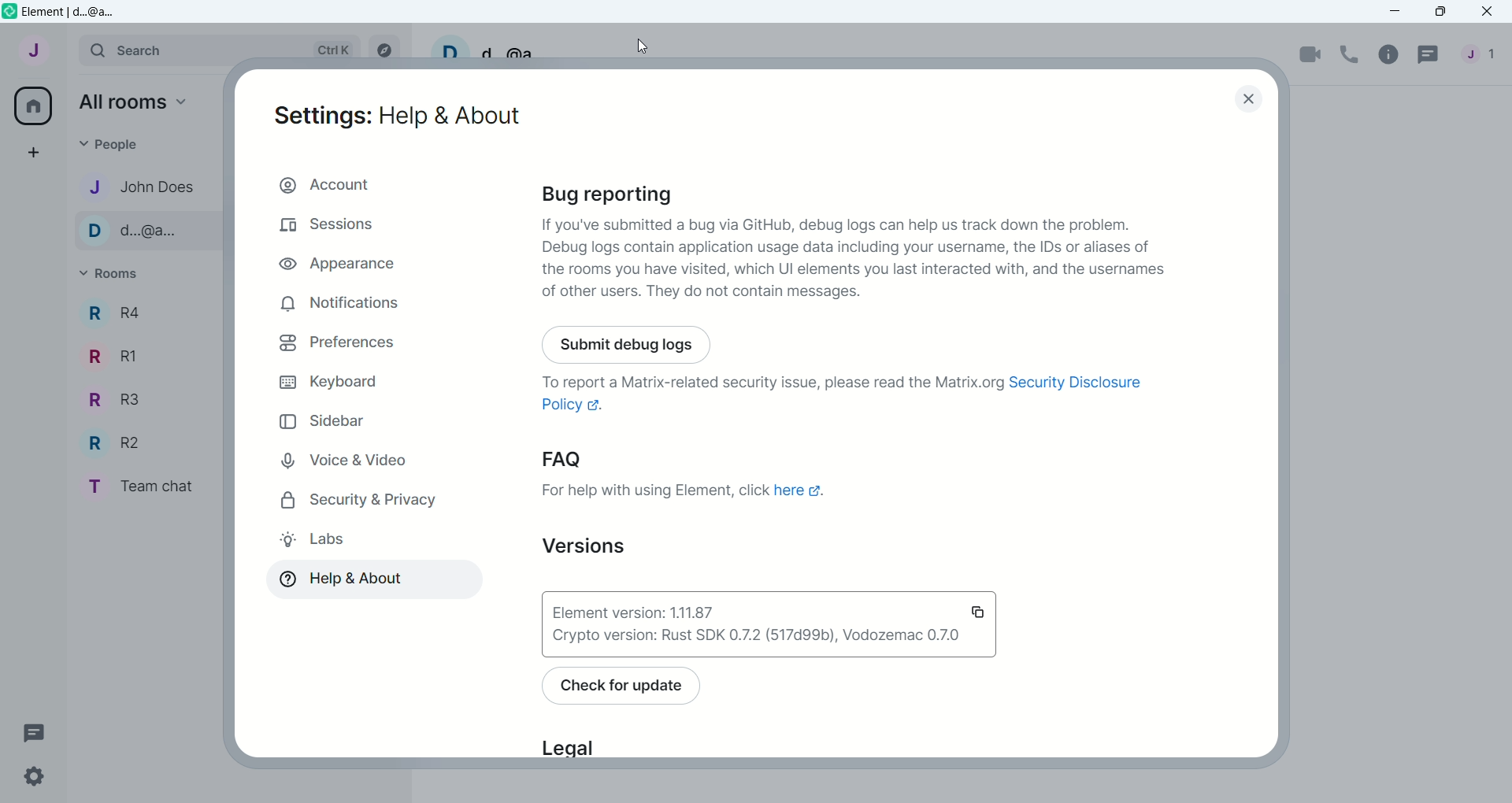 The image size is (1512, 803). What do you see at coordinates (138, 486) in the screenshot?
I see `Room Team chat` at bounding box center [138, 486].